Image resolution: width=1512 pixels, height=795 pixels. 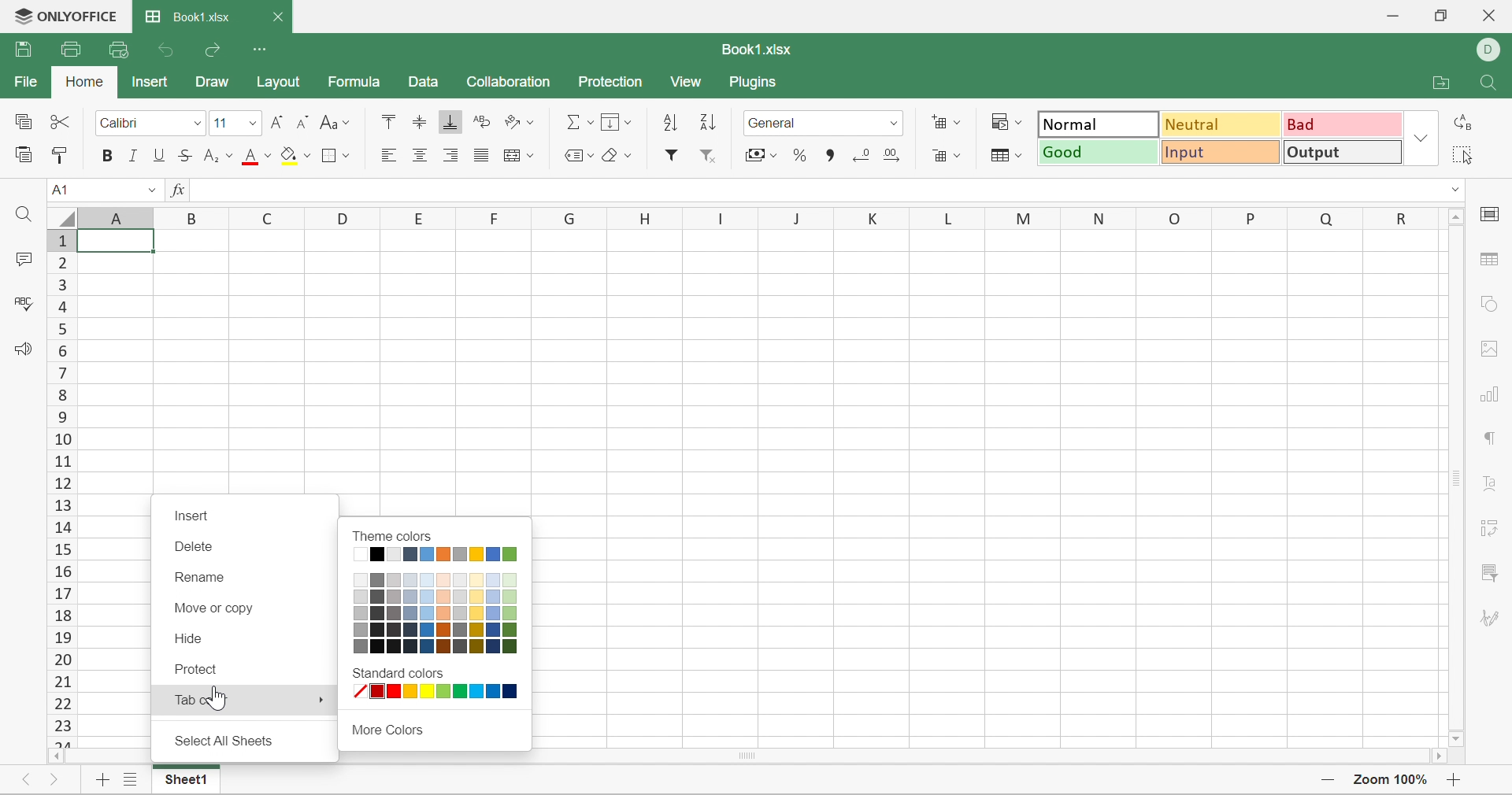 I want to click on Signature, so click(x=1488, y=618).